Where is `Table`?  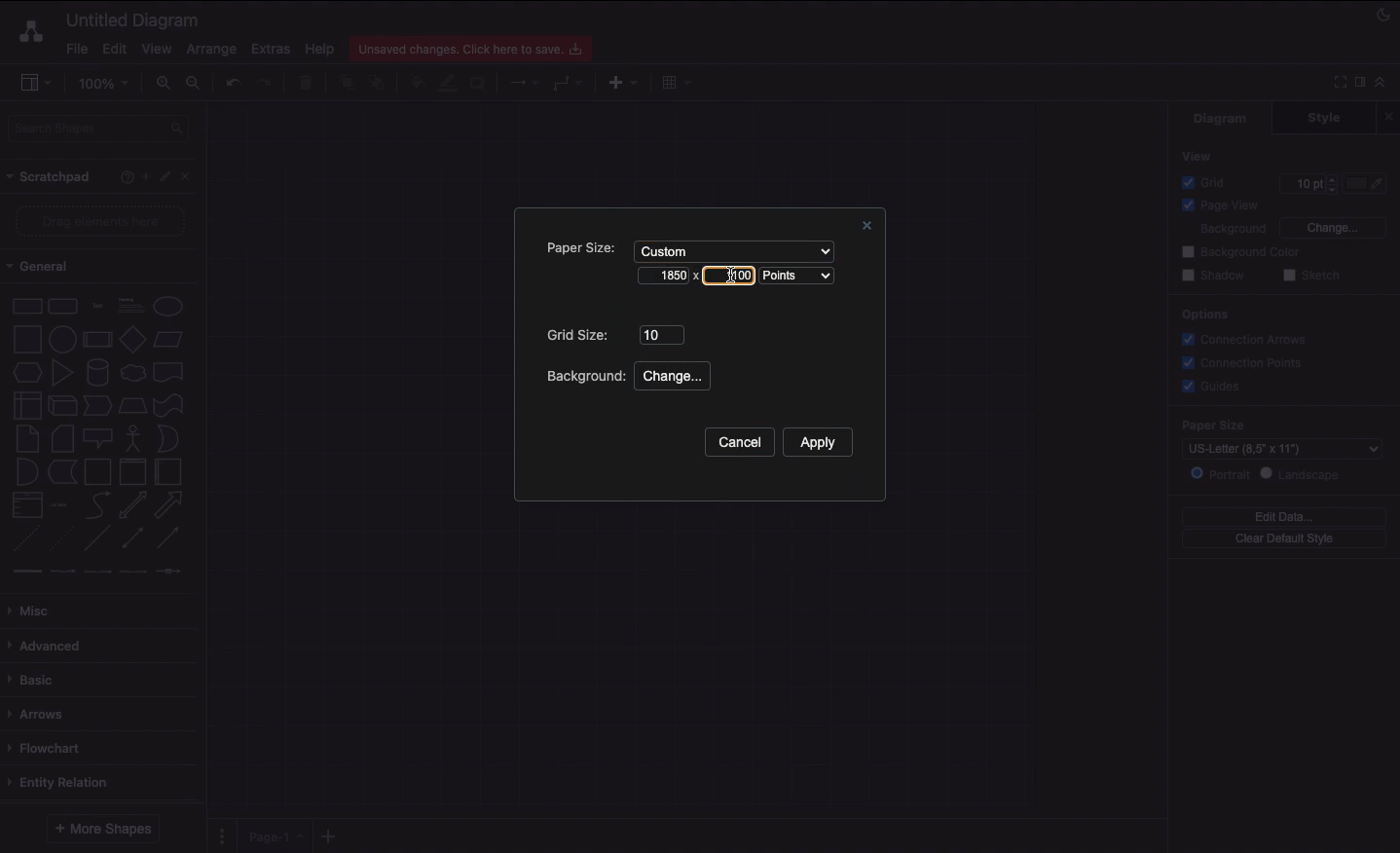 Table is located at coordinates (674, 81).